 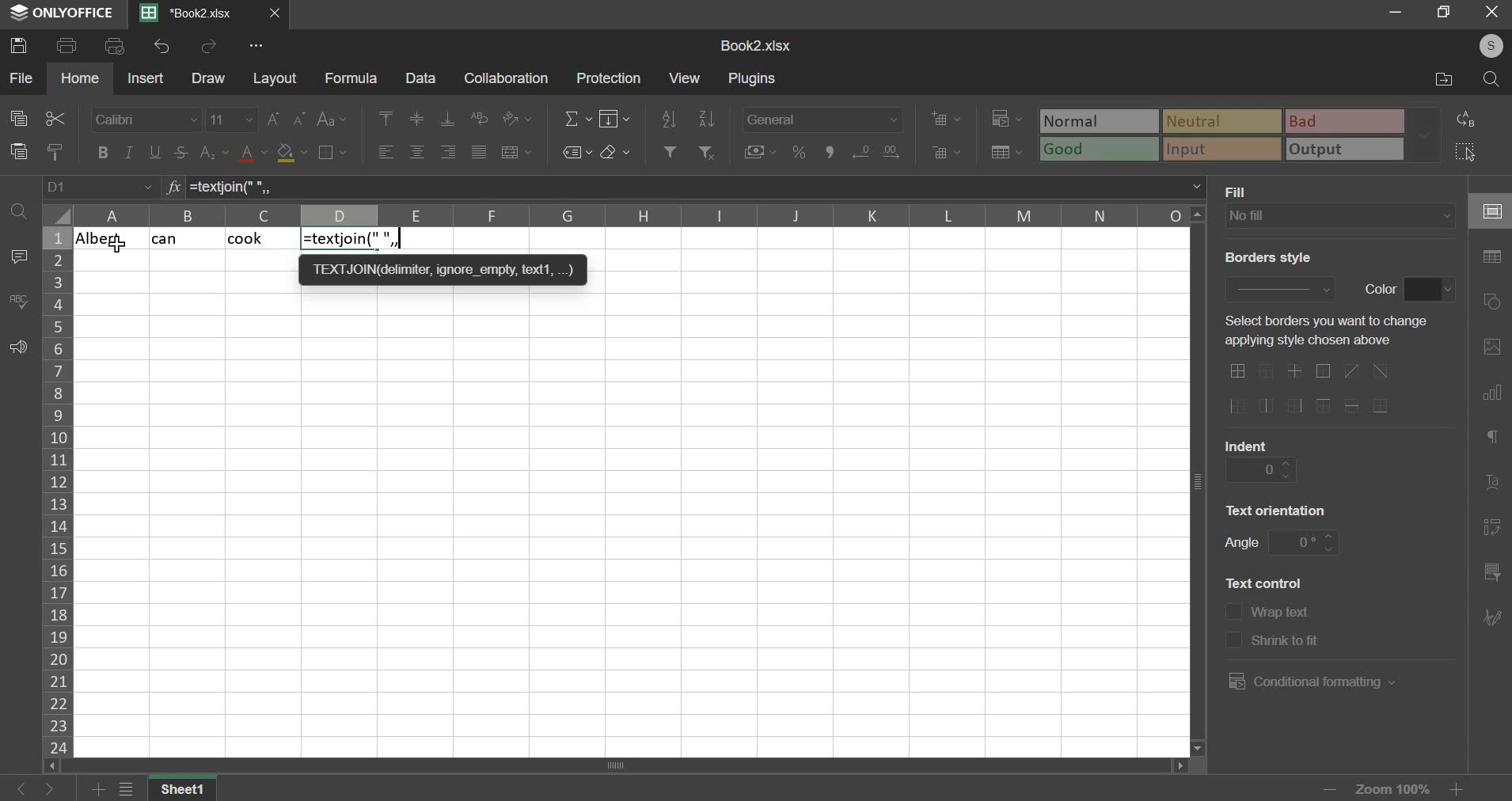 I want to click on view all sheets, so click(x=135, y=790).